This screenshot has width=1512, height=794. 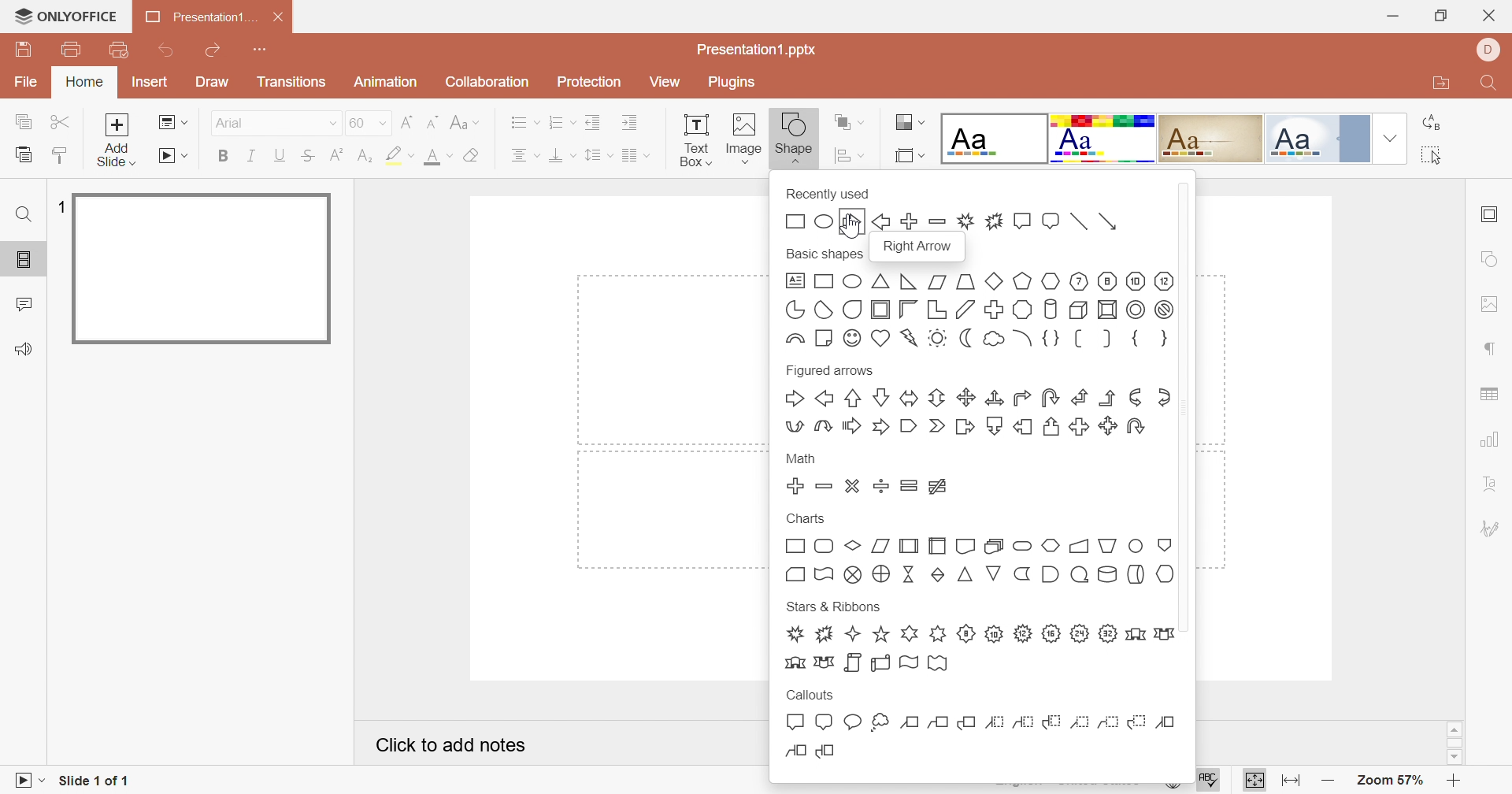 What do you see at coordinates (594, 122) in the screenshot?
I see `Decrease indent` at bounding box center [594, 122].